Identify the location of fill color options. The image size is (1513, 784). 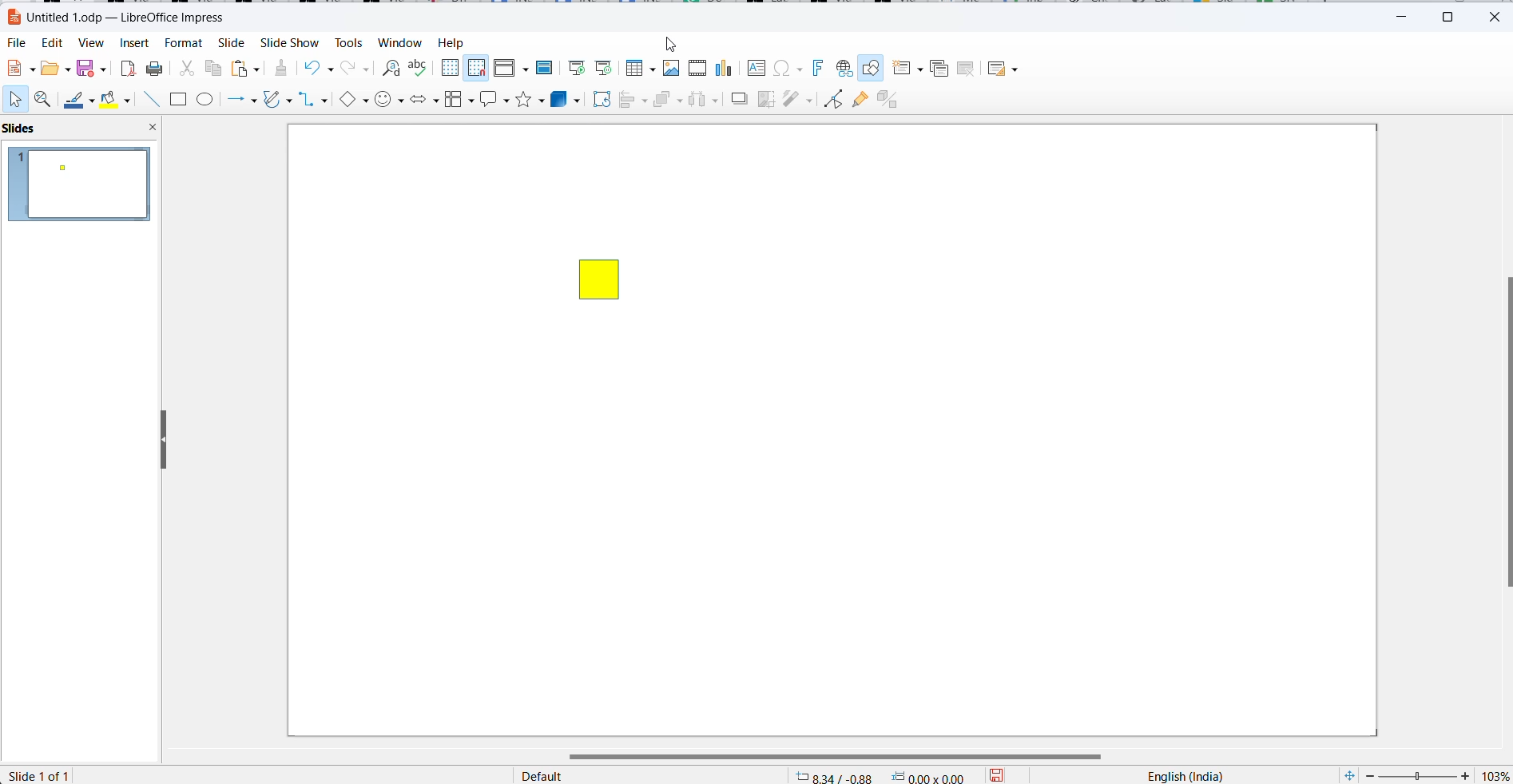
(129, 101).